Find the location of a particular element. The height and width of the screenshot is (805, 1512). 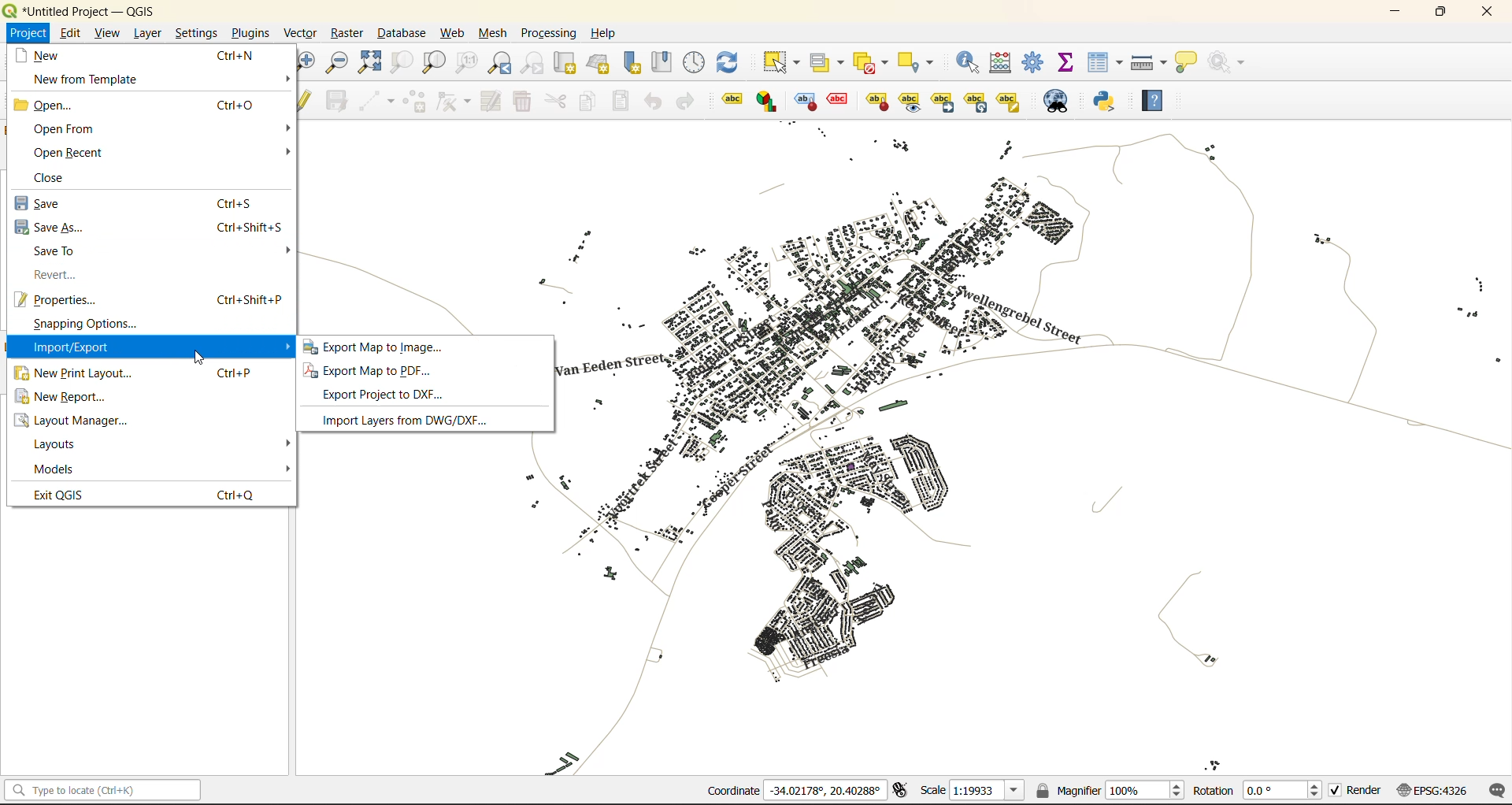

select value is located at coordinates (828, 59).